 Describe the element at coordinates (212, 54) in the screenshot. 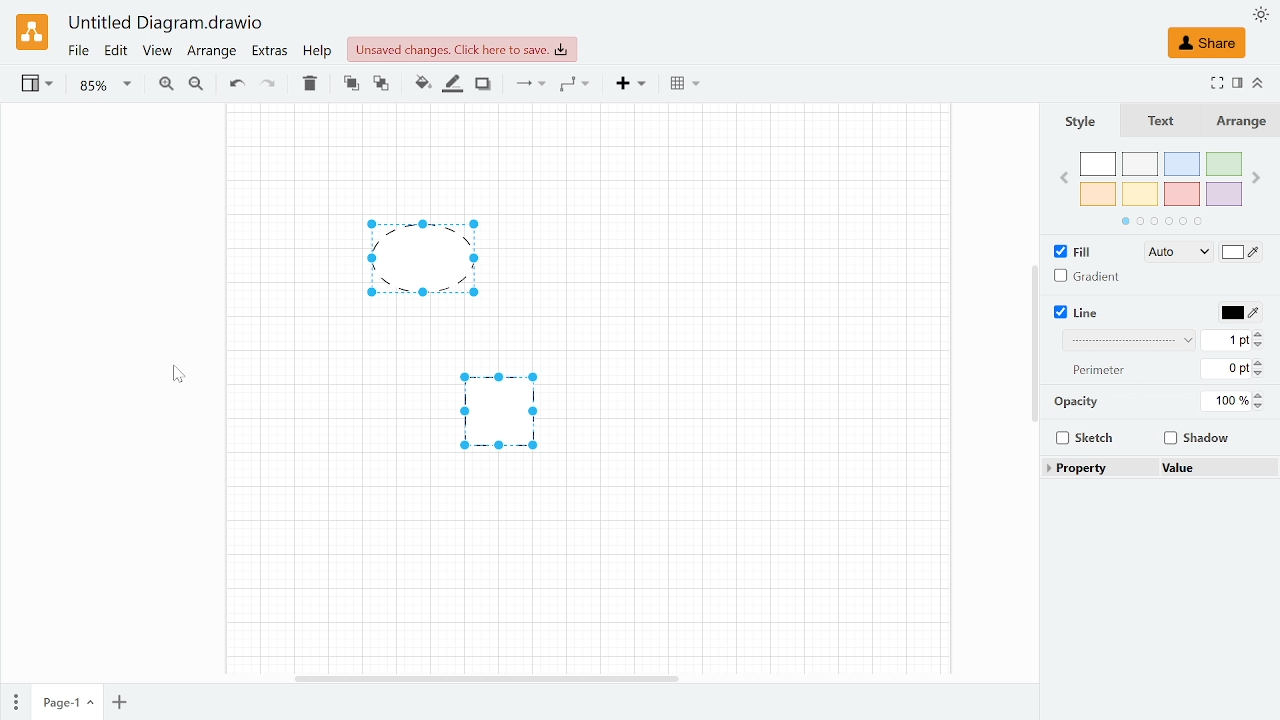

I see `Arrange` at that location.